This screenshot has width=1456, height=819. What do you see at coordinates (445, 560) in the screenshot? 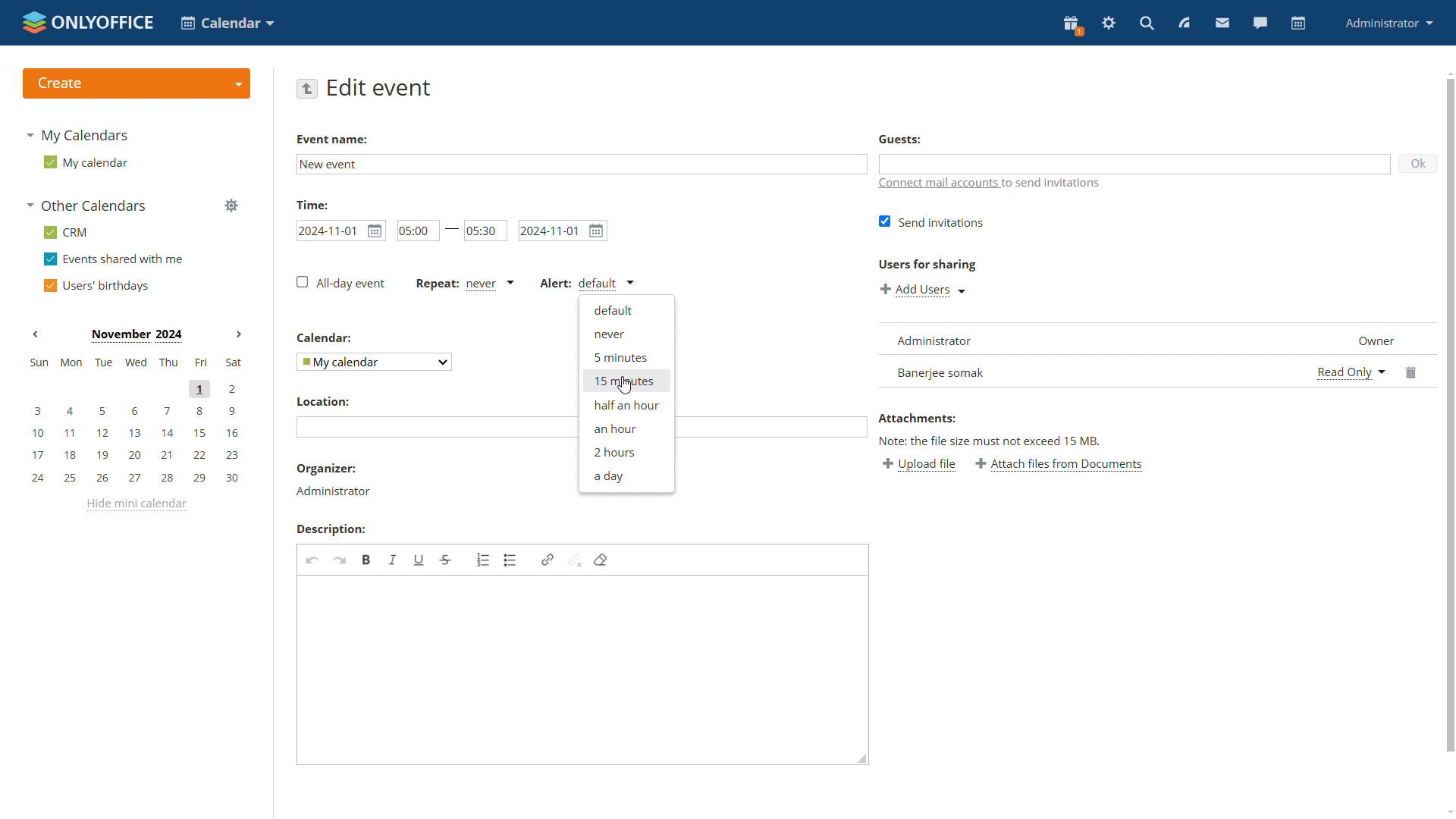
I see `strikethrough` at bounding box center [445, 560].